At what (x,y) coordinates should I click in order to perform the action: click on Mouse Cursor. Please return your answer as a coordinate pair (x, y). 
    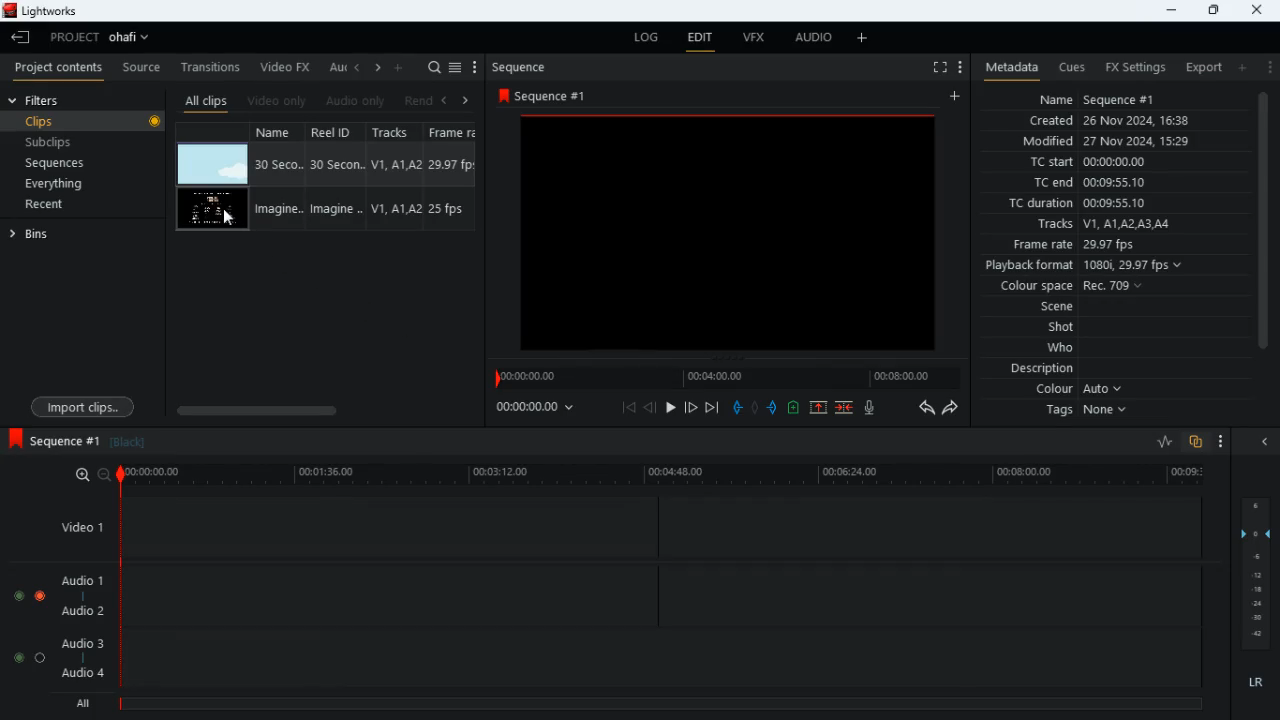
    Looking at the image, I should click on (230, 218).